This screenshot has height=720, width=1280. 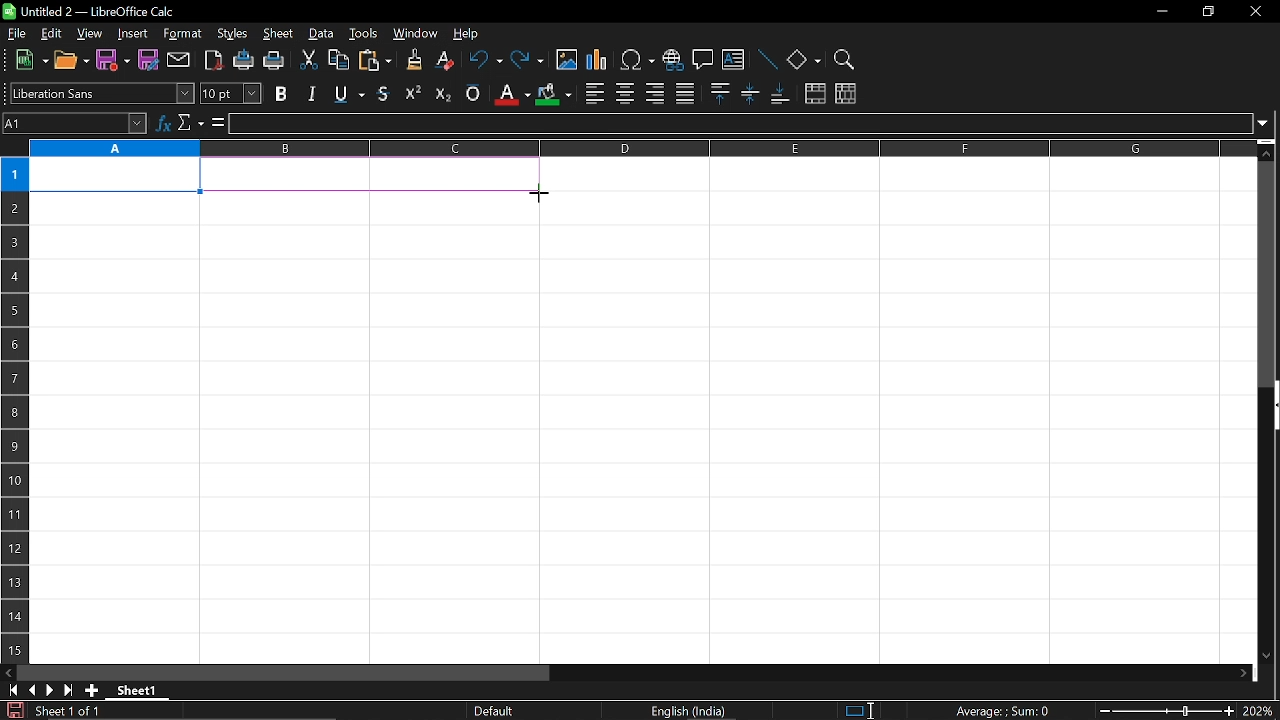 I want to click on text color, so click(x=510, y=94).